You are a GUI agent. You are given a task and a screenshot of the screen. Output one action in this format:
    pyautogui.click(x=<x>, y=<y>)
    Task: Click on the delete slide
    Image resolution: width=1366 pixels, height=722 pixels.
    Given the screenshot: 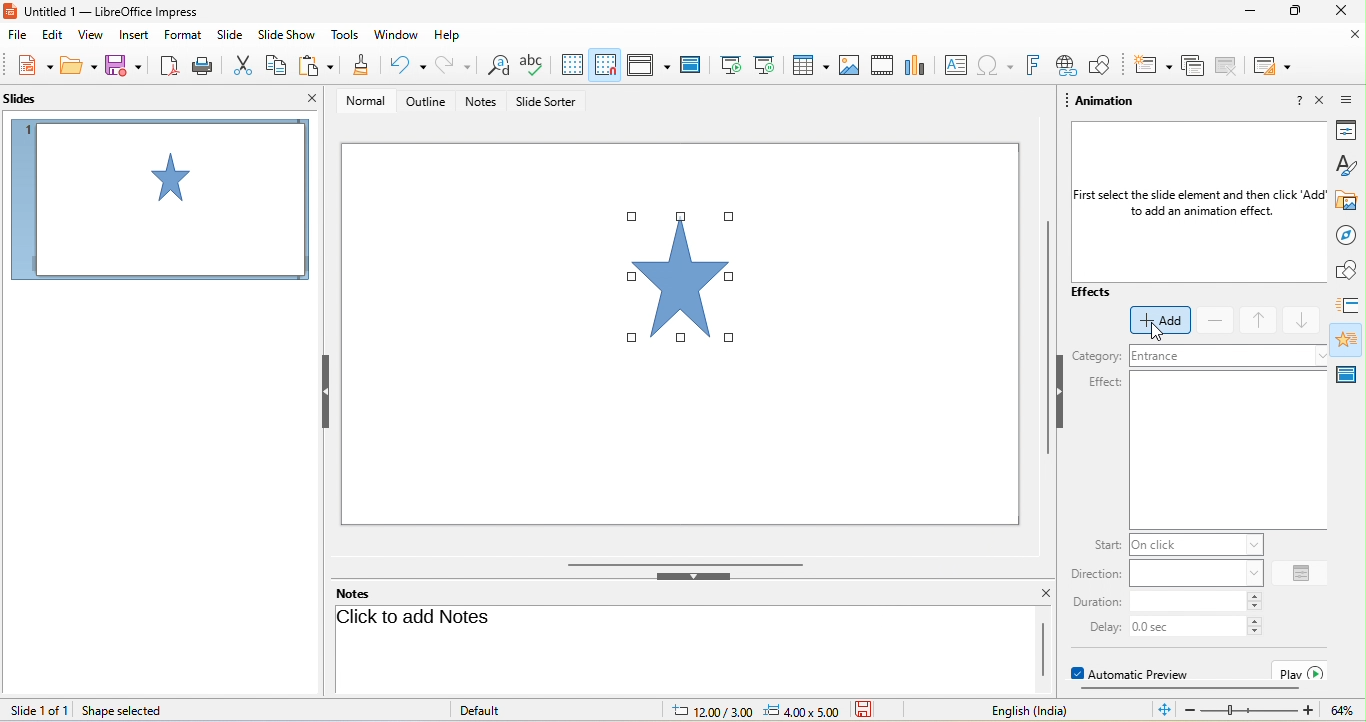 What is the action you would take?
    pyautogui.click(x=1191, y=67)
    